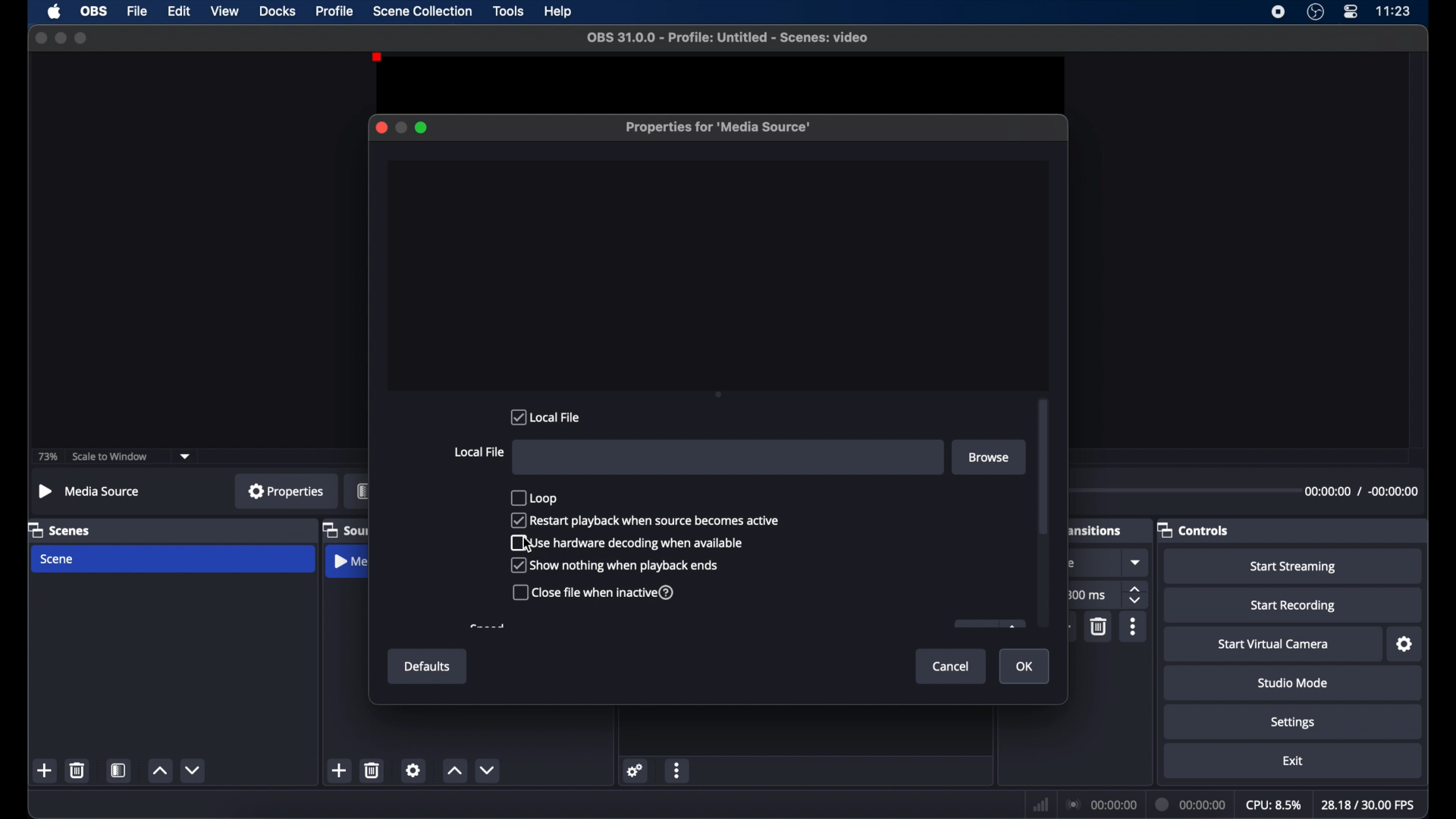 This screenshot has height=819, width=1456. Describe the element at coordinates (400, 127) in the screenshot. I see `minimize` at that location.